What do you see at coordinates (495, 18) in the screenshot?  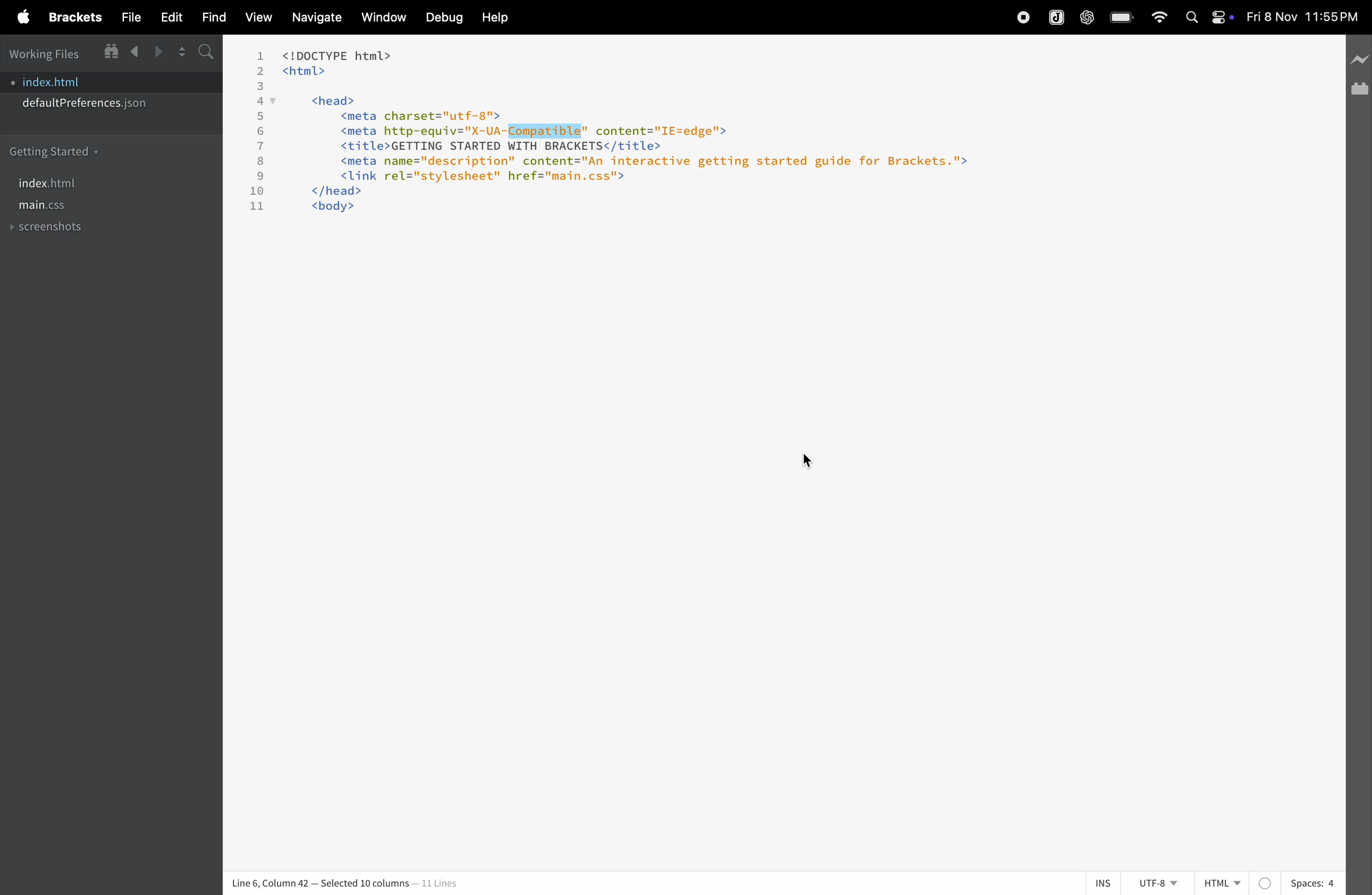 I see `help` at bounding box center [495, 18].